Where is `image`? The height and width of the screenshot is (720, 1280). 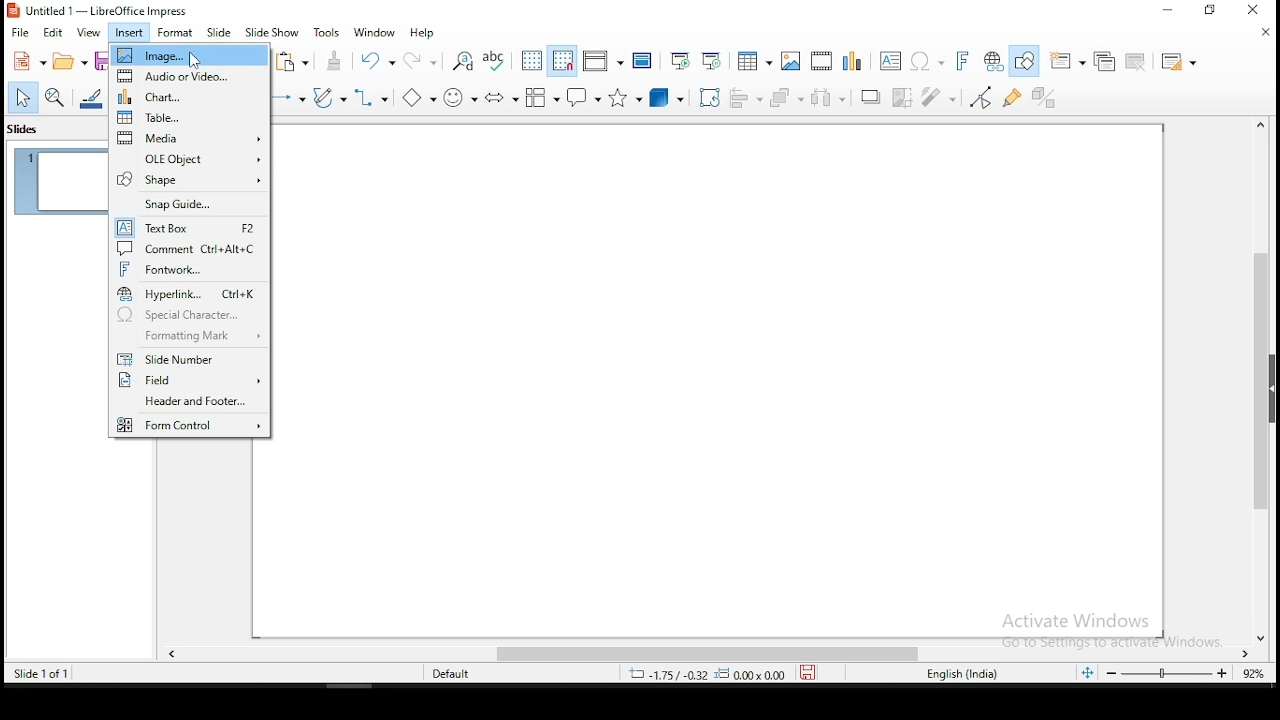
image is located at coordinates (190, 56).